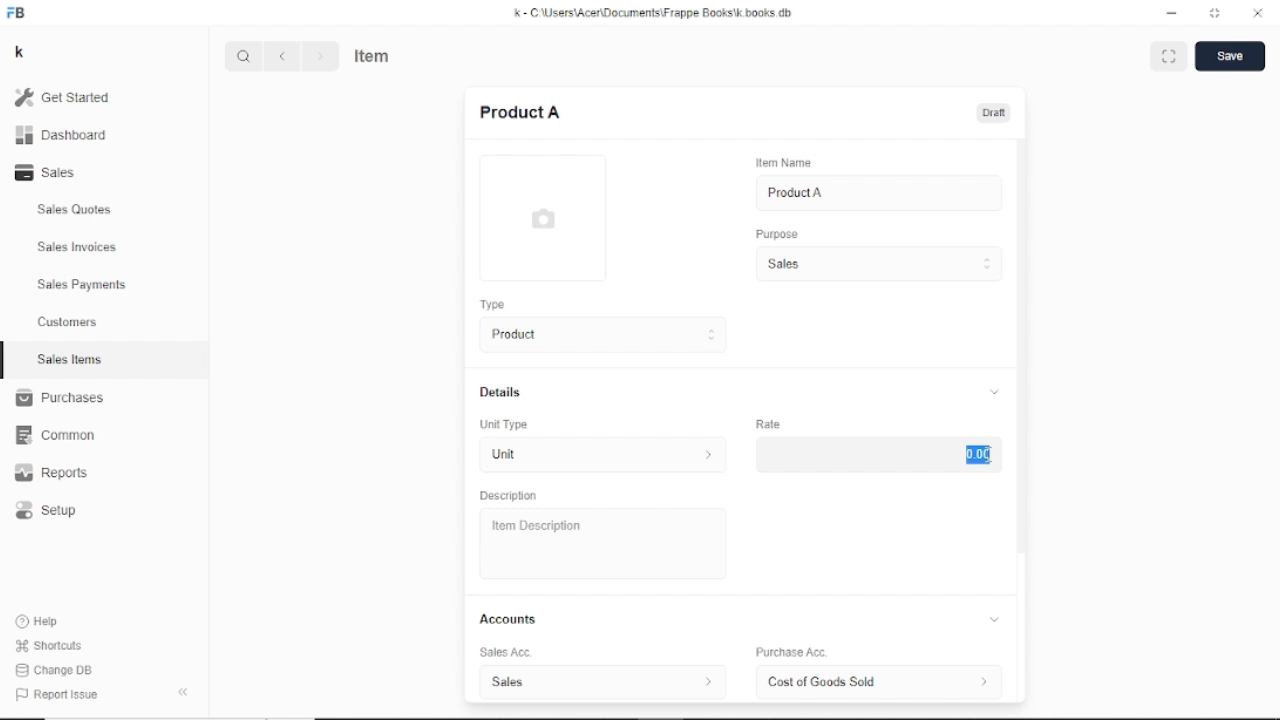  What do you see at coordinates (877, 264) in the screenshot?
I see `Sales` at bounding box center [877, 264].